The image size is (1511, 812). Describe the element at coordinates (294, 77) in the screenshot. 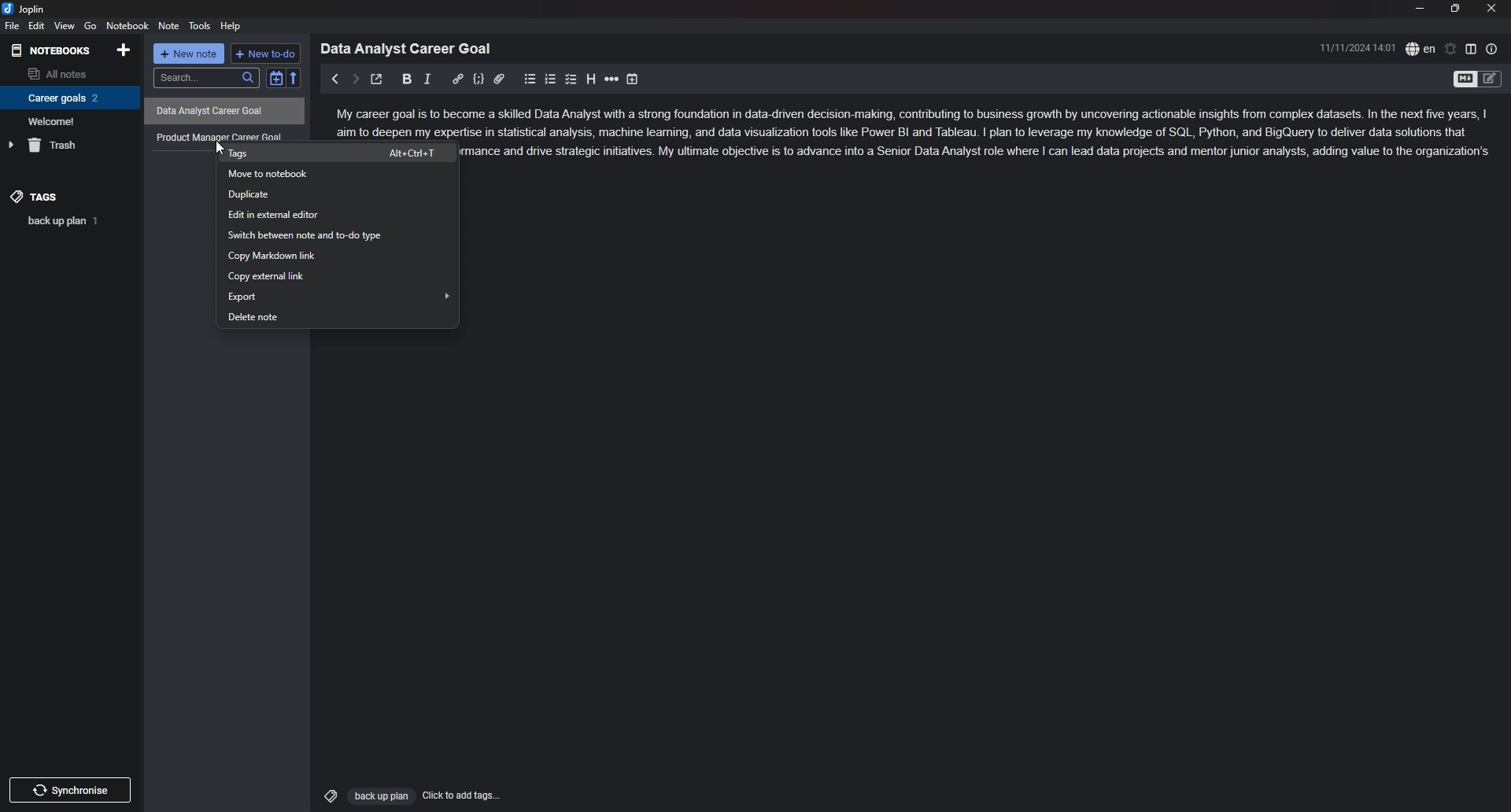

I see `reverse sort order` at that location.